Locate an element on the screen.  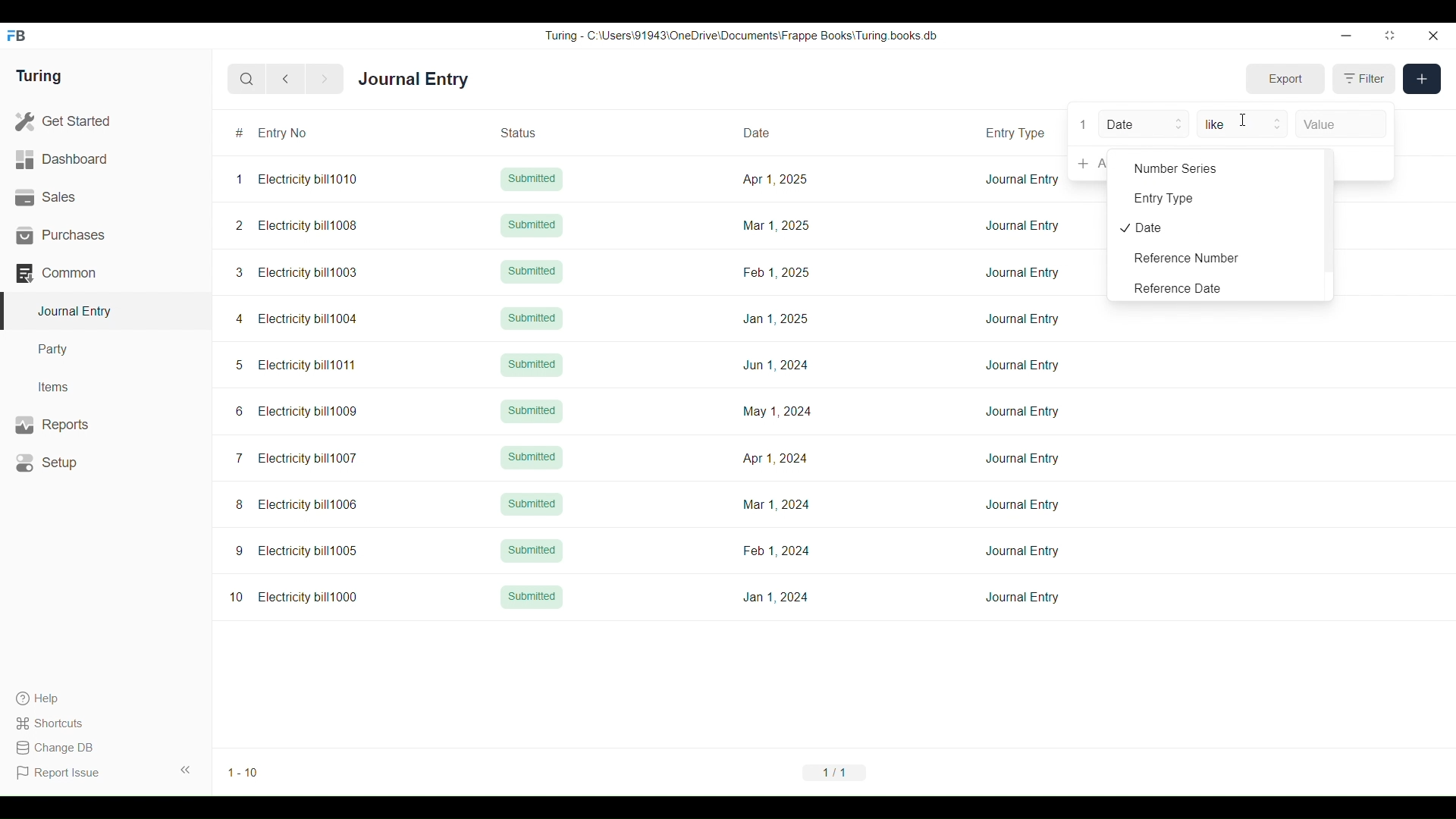
4 Electricity bill1004 is located at coordinates (297, 318).